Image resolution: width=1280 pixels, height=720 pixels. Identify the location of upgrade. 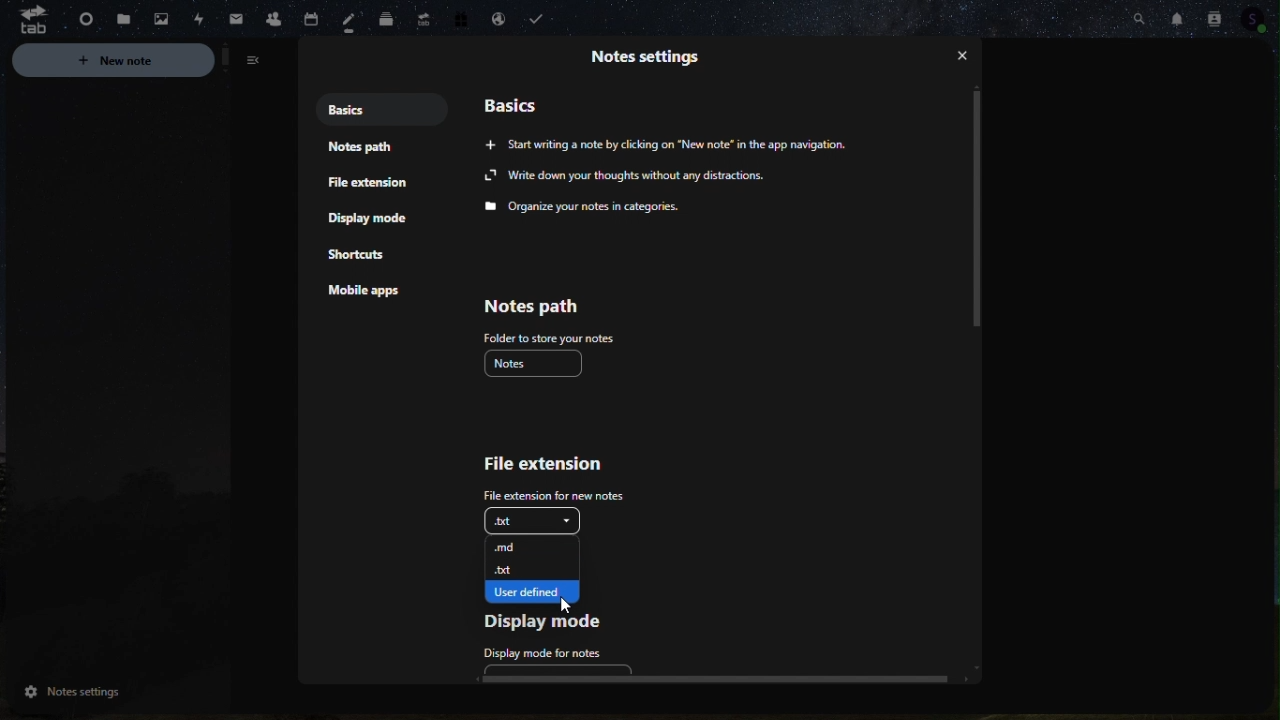
(420, 16).